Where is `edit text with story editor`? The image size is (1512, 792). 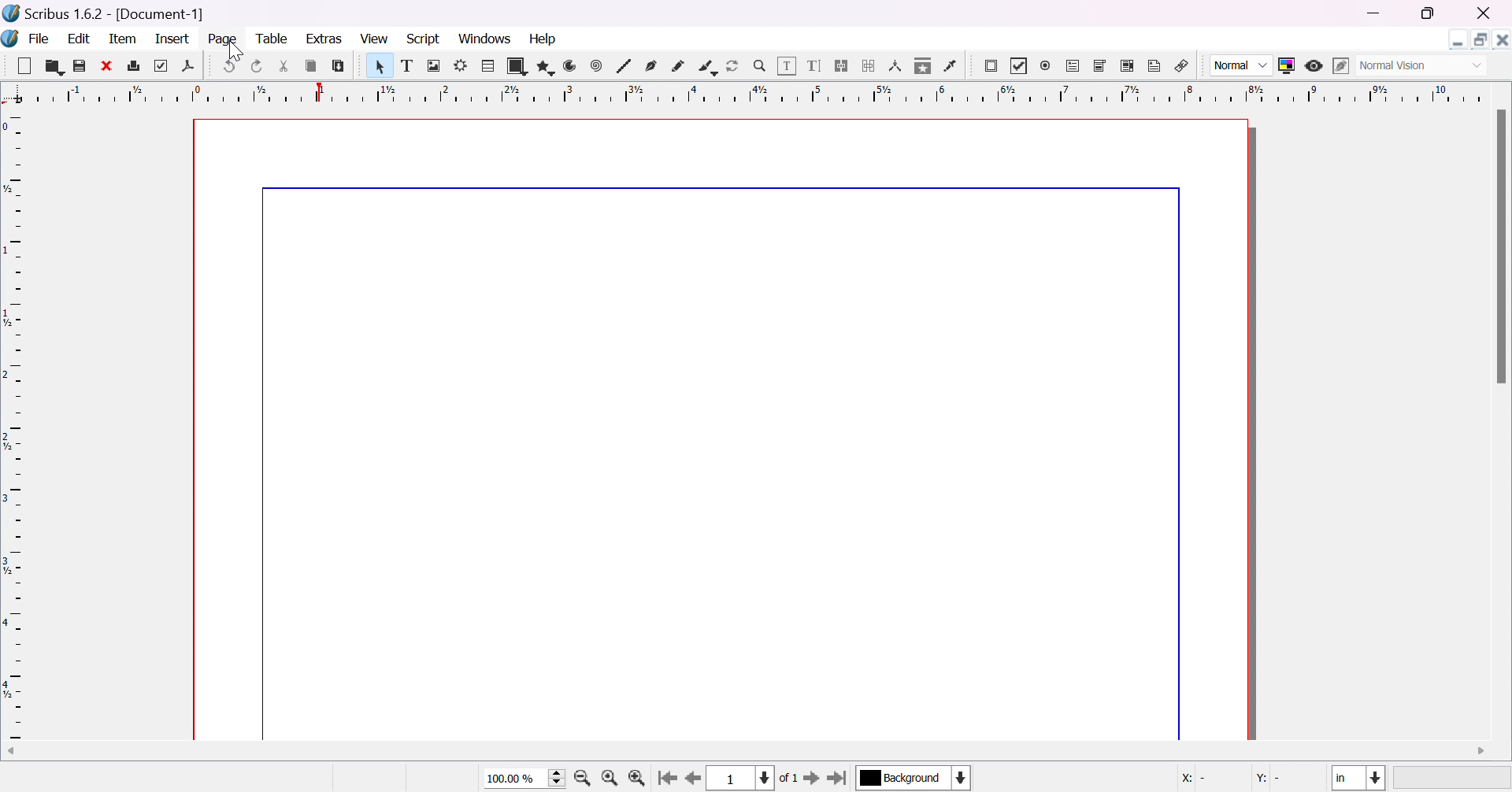
edit text with story editor is located at coordinates (817, 65).